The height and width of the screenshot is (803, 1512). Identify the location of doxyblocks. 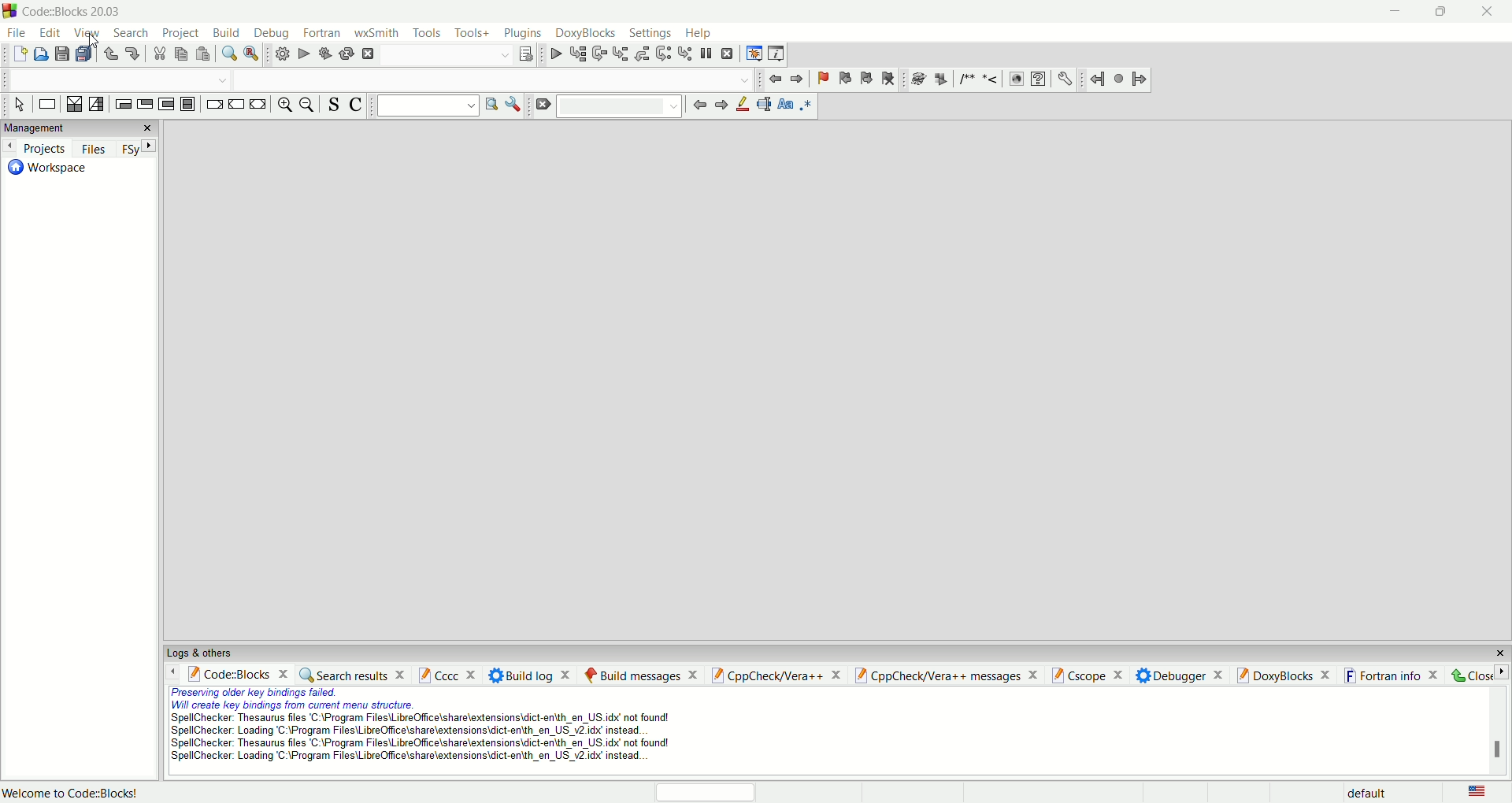
(586, 33).